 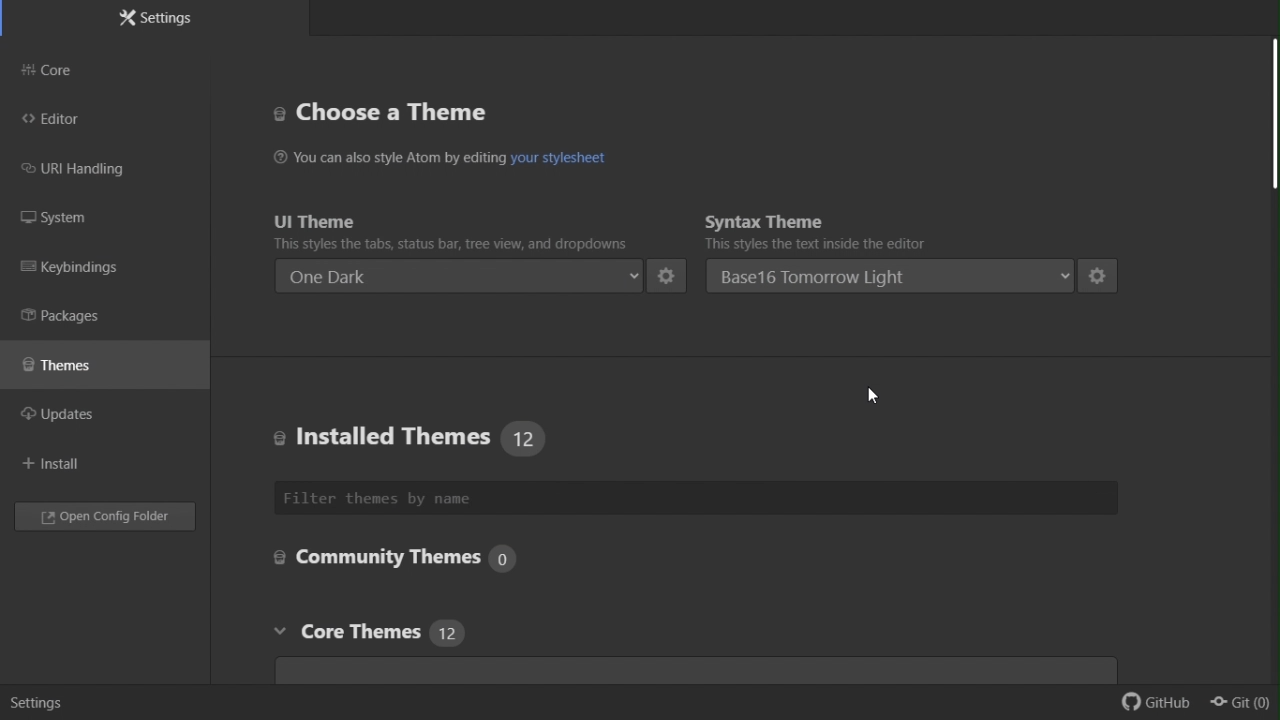 I want to click on settings, so click(x=38, y=703).